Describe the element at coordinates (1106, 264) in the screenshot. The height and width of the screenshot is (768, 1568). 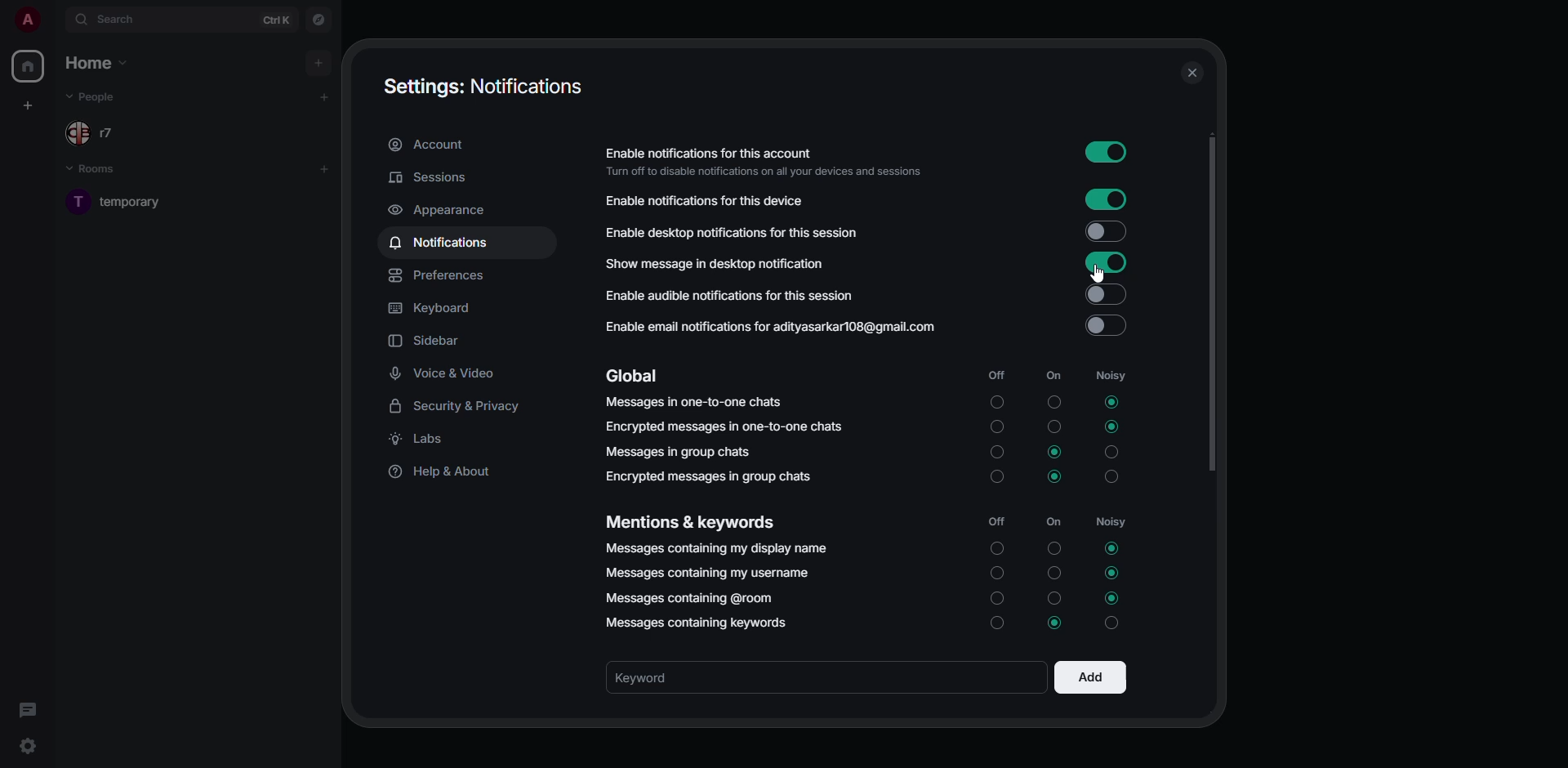
I see `enabled` at that location.